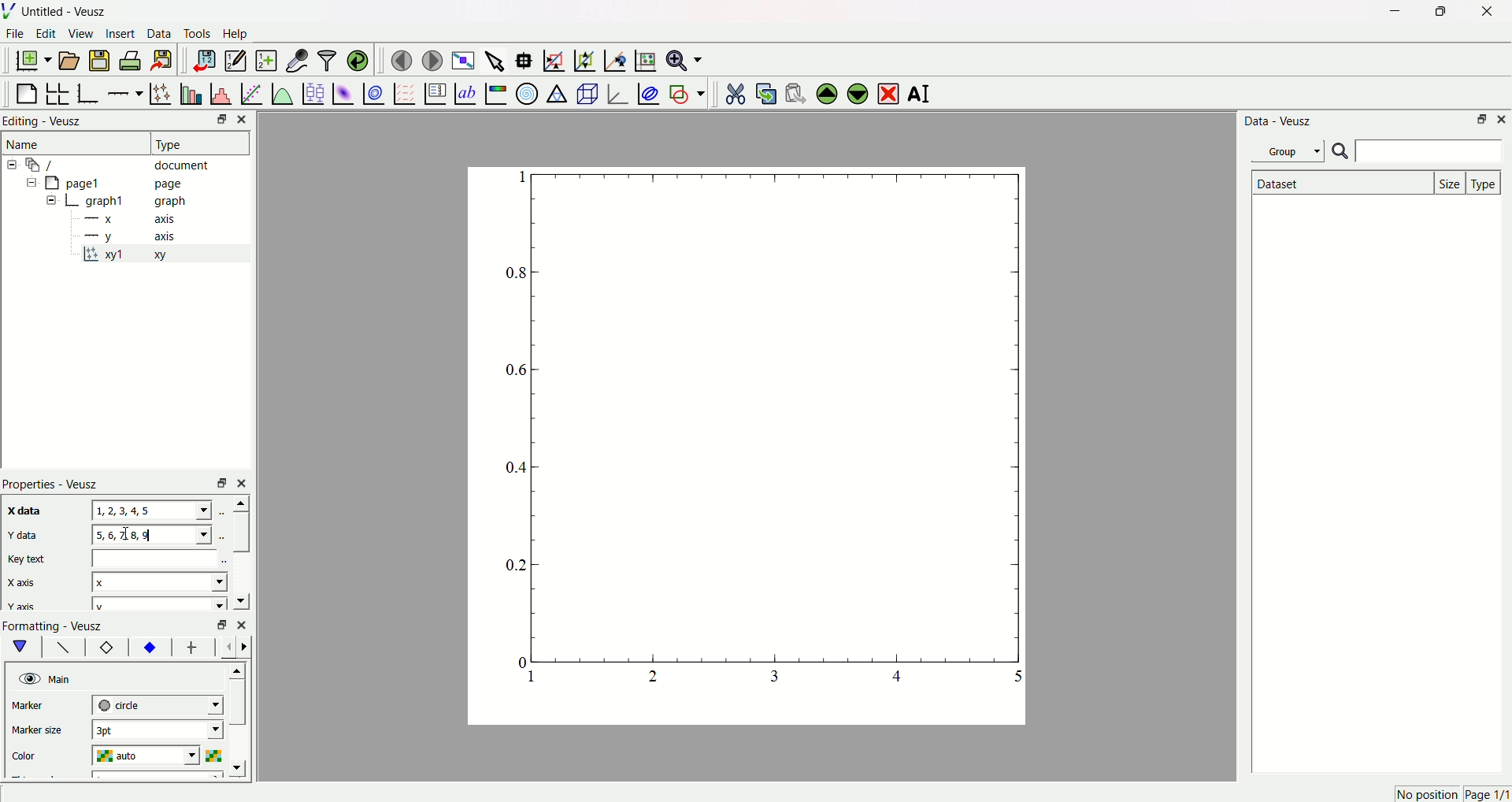 The image size is (1512, 802). What do you see at coordinates (343, 92) in the screenshot?
I see `plot 2 d datasets as image` at bounding box center [343, 92].